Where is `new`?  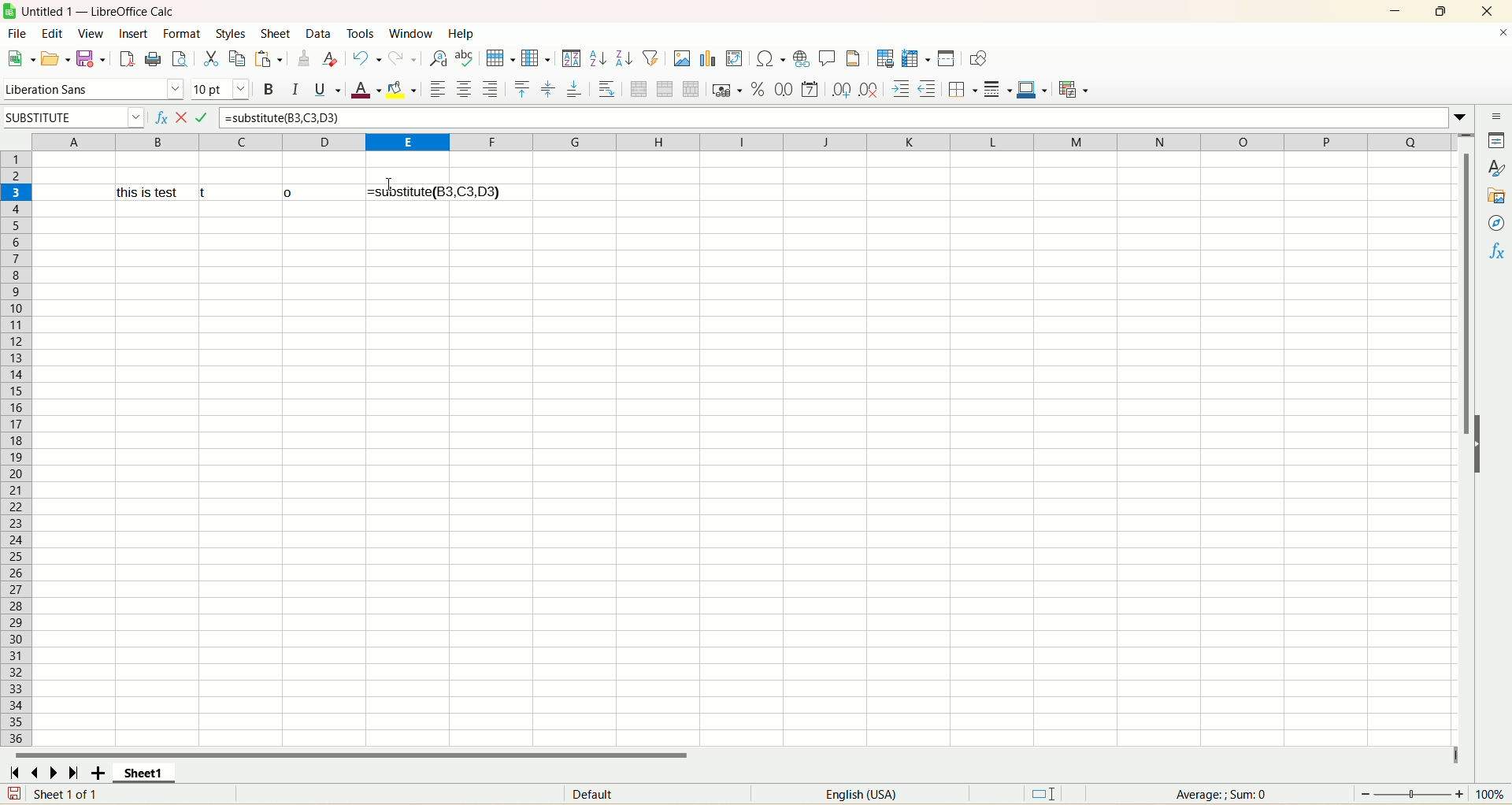 new is located at coordinates (21, 57).